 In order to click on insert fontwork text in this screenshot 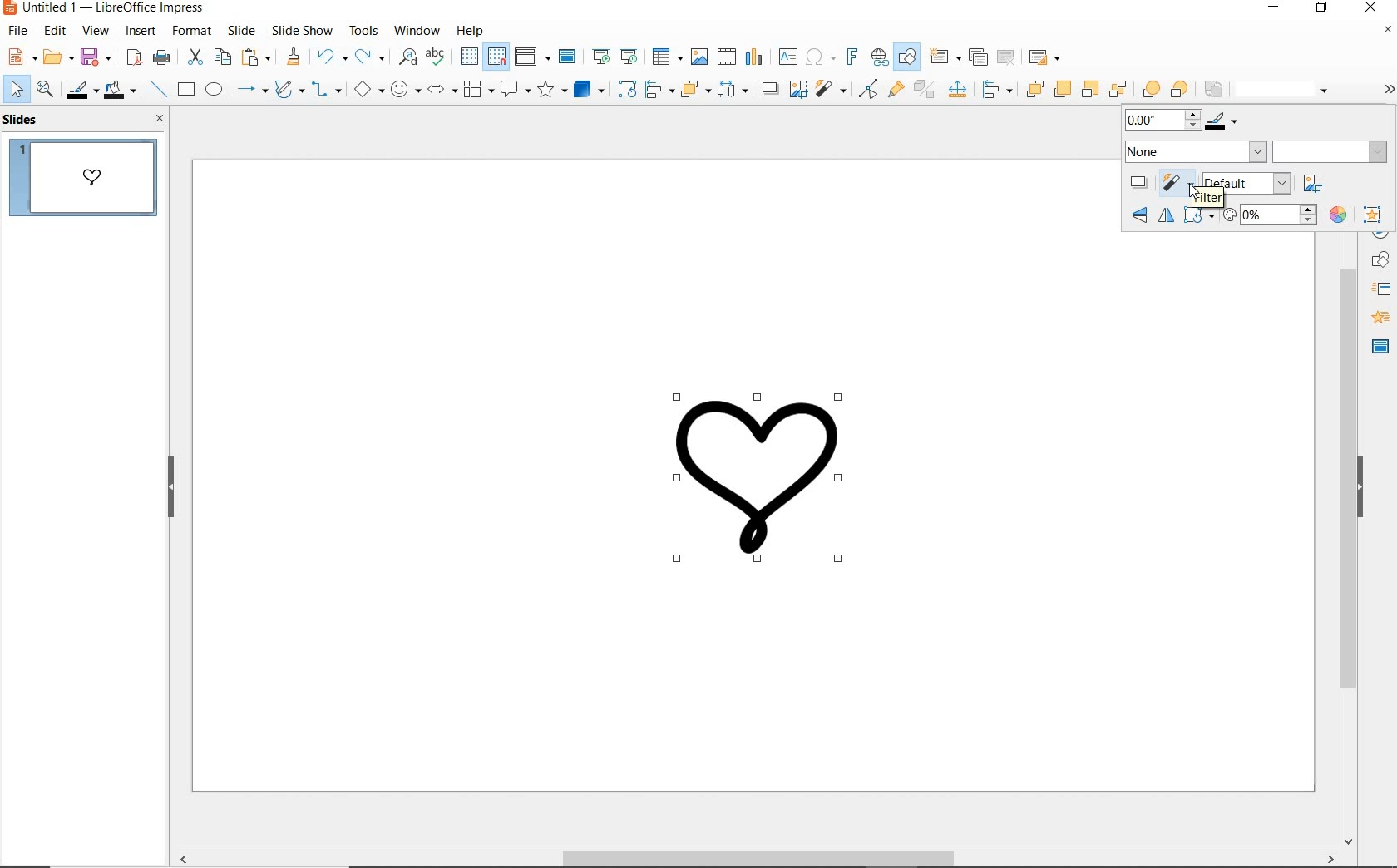, I will do `click(852, 56)`.